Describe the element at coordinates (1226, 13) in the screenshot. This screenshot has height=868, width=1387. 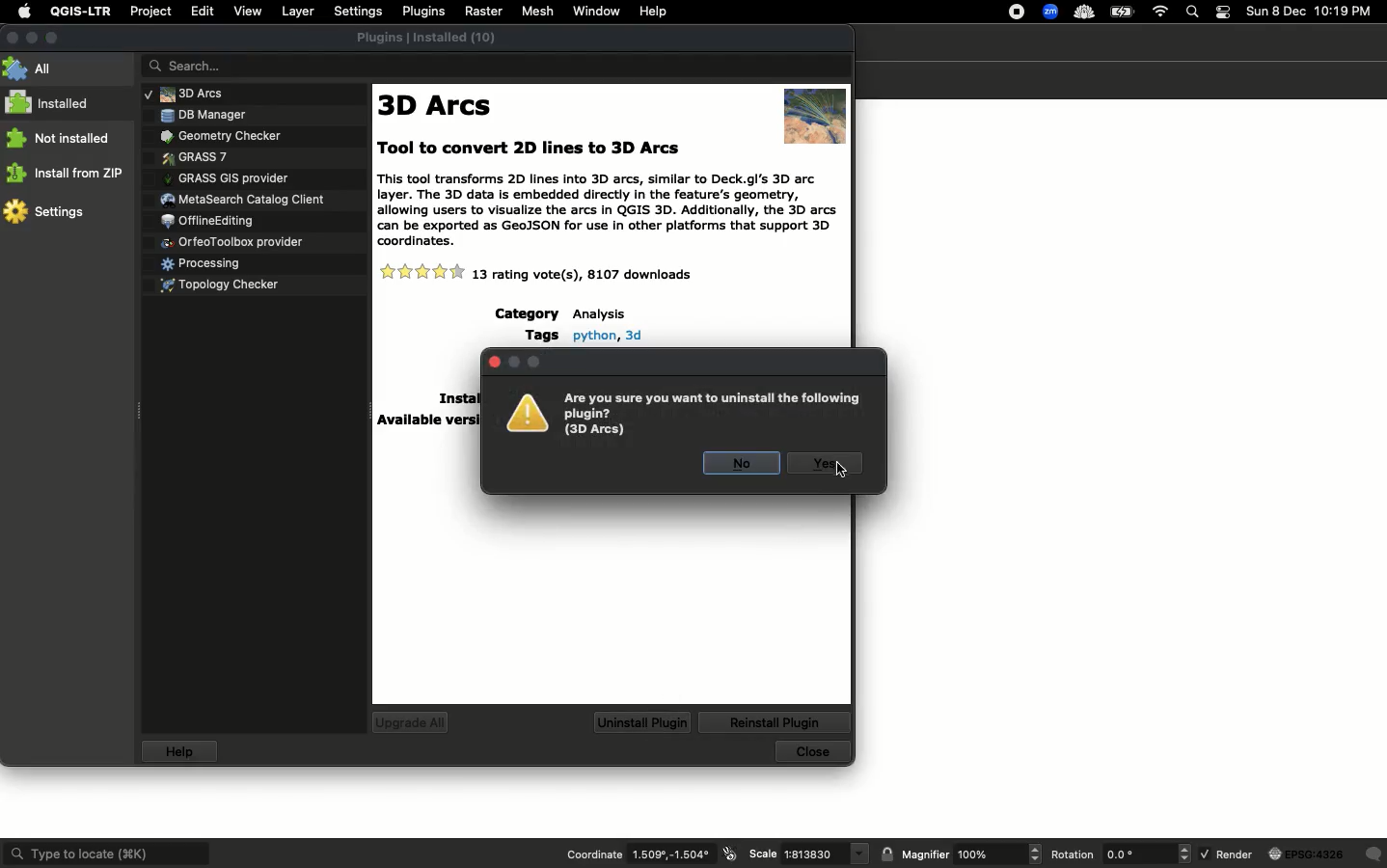
I see `Notification` at that location.